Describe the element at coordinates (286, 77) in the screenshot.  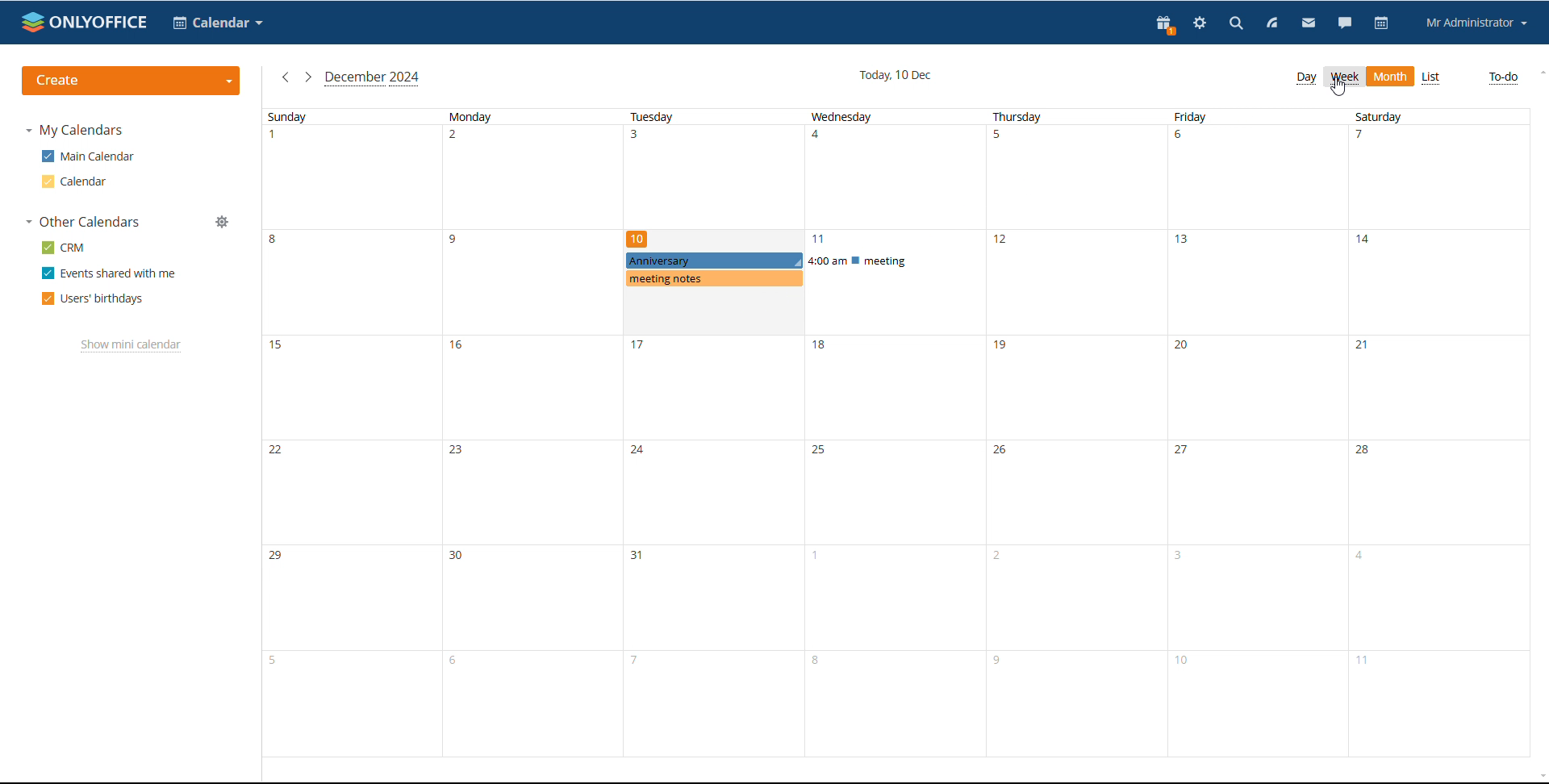
I see `previous month` at that location.